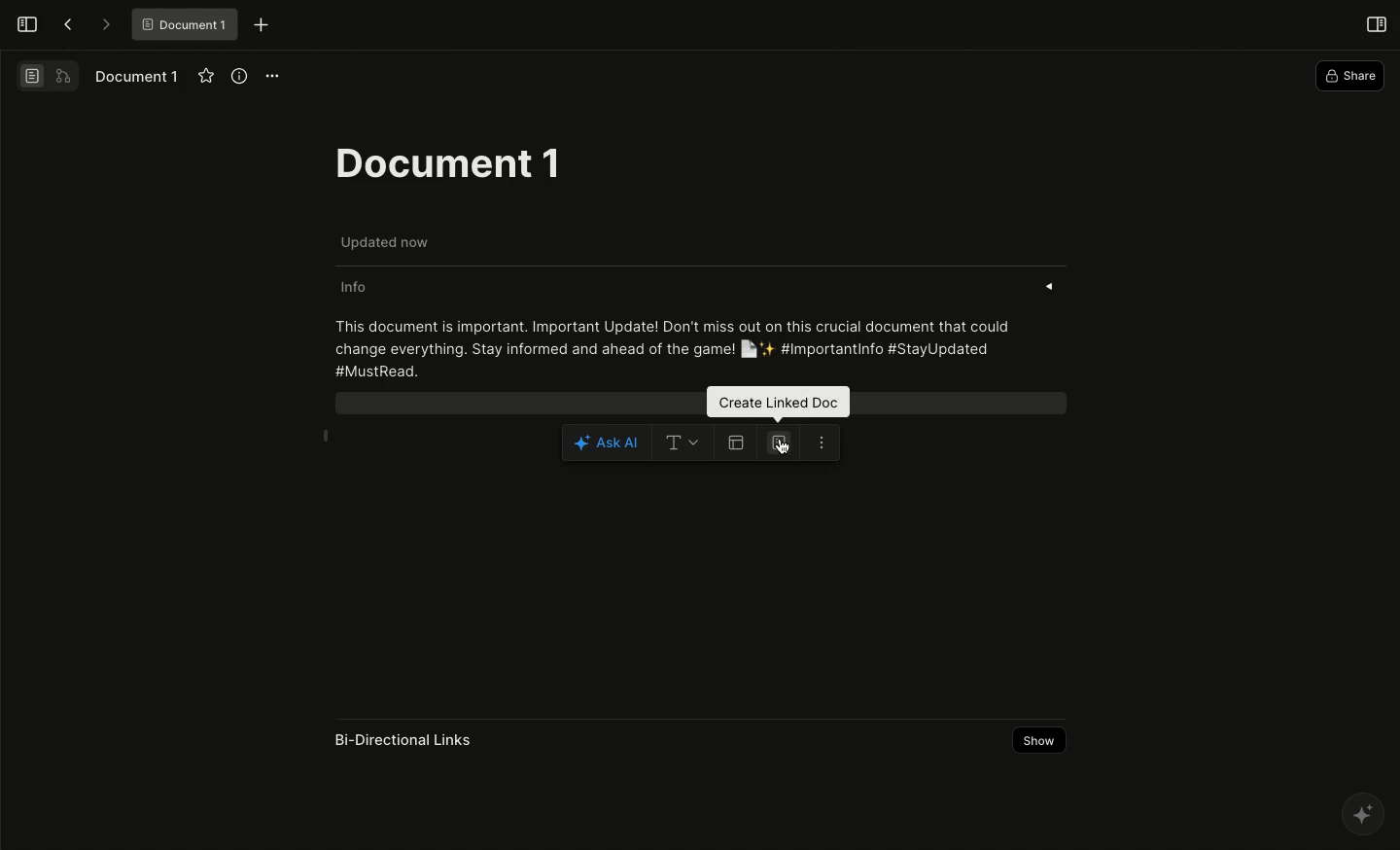 This screenshot has width=1400, height=850. What do you see at coordinates (778, 402) in the screenshot?
I see `Create linked doc` at bounding box center [778, 402].